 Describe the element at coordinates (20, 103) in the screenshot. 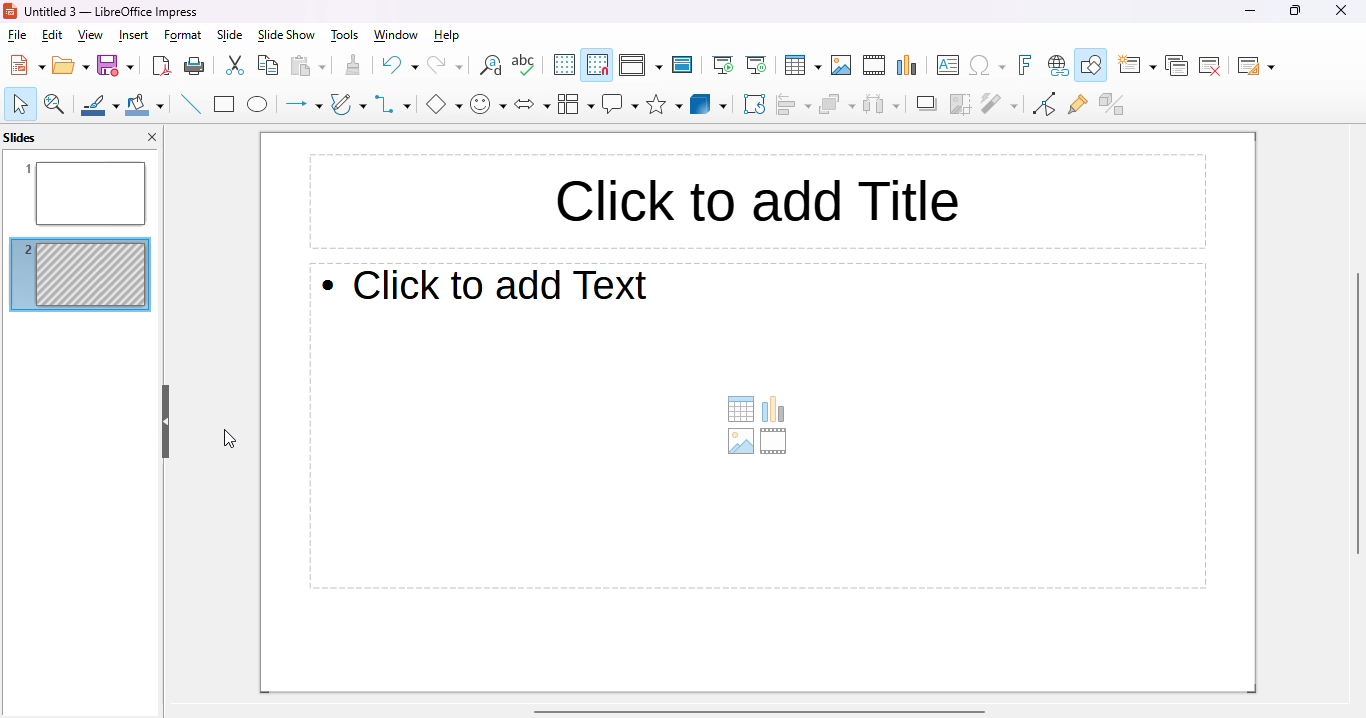

I see `select` at that location.